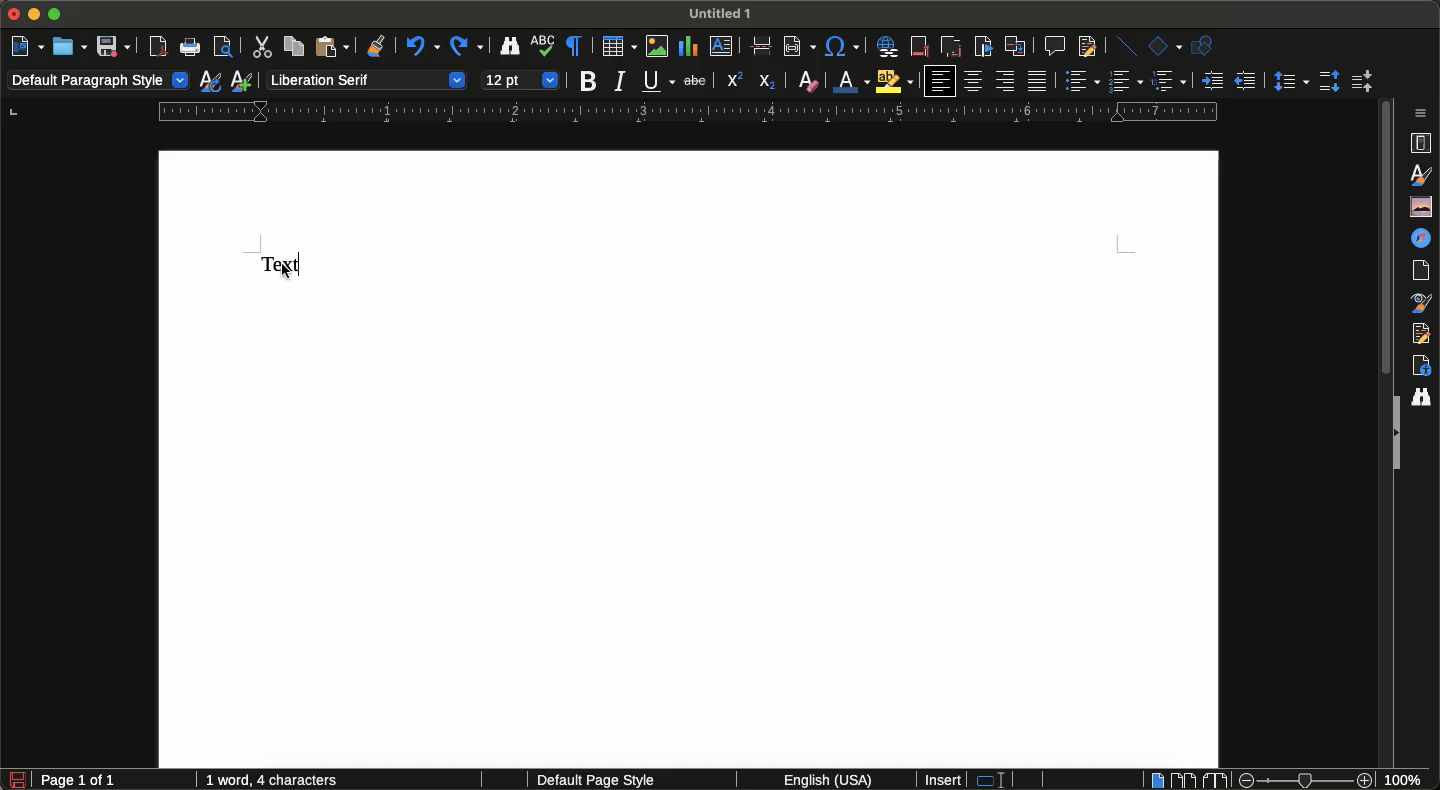  What do you see at coordinates (842, 48) in the screenshot?
I see `Insert special characters` at bounding box center [842, 48].